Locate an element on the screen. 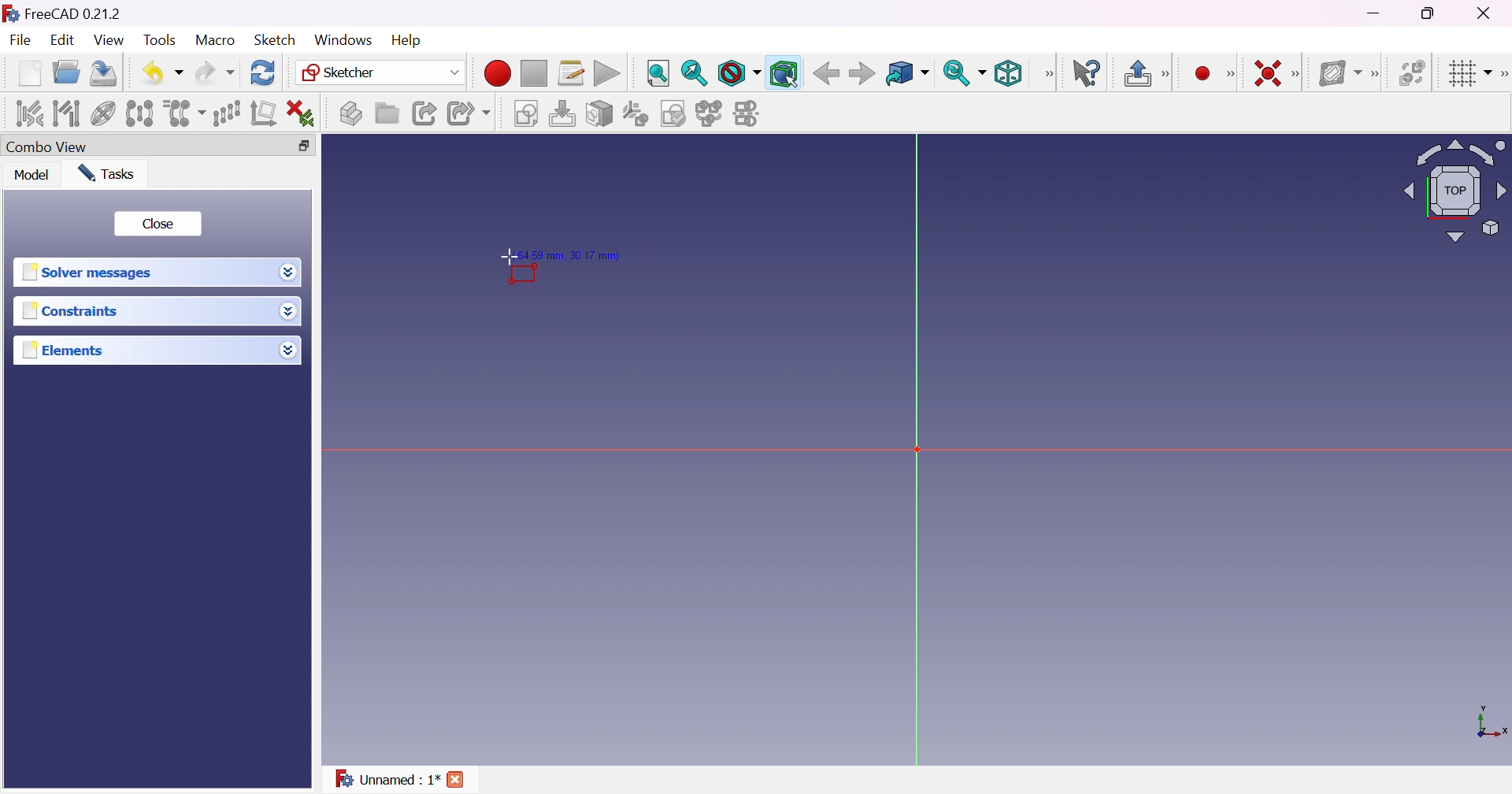  Model is located at coordinates (31, 174).